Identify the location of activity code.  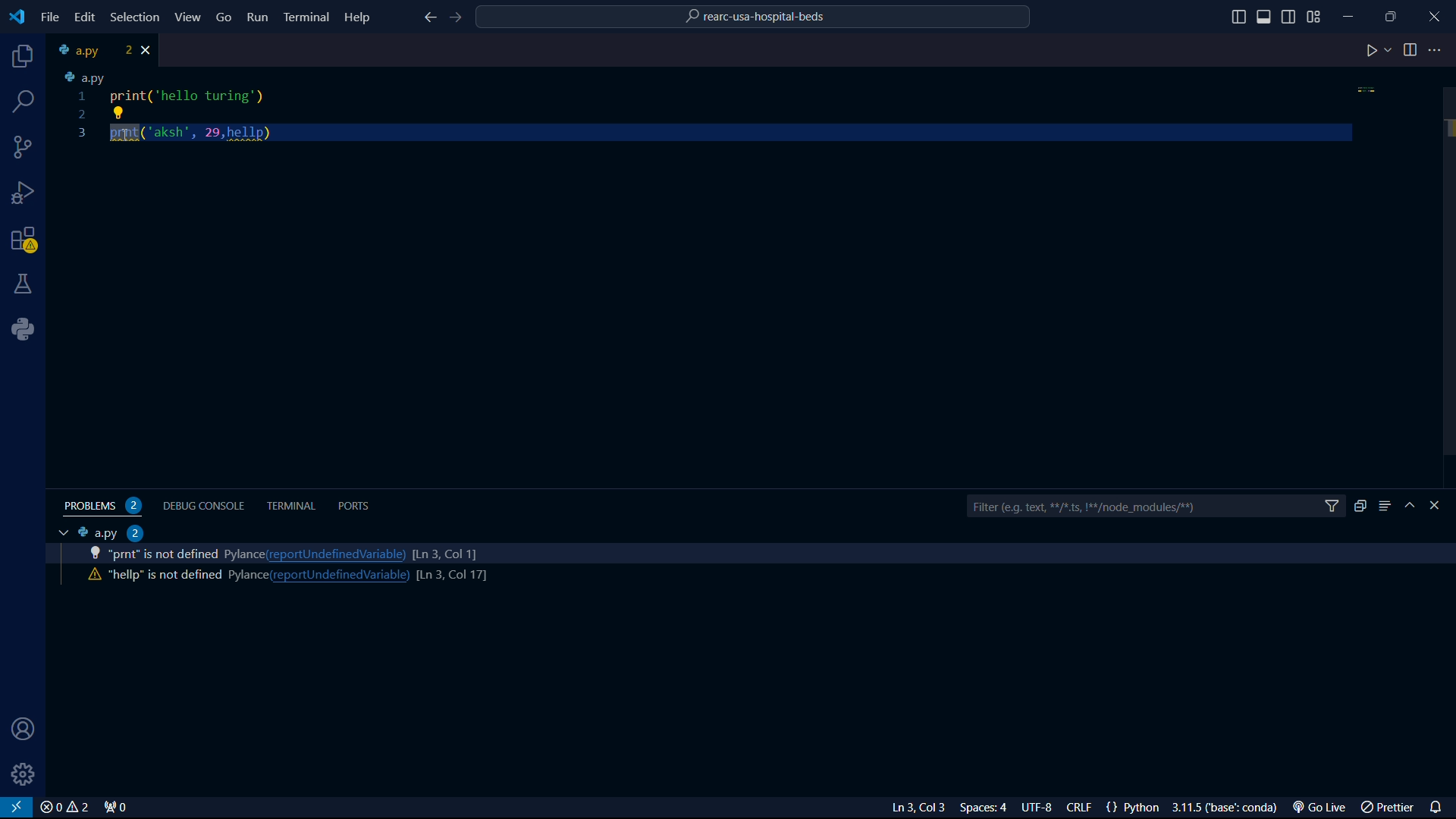
(163, 576).